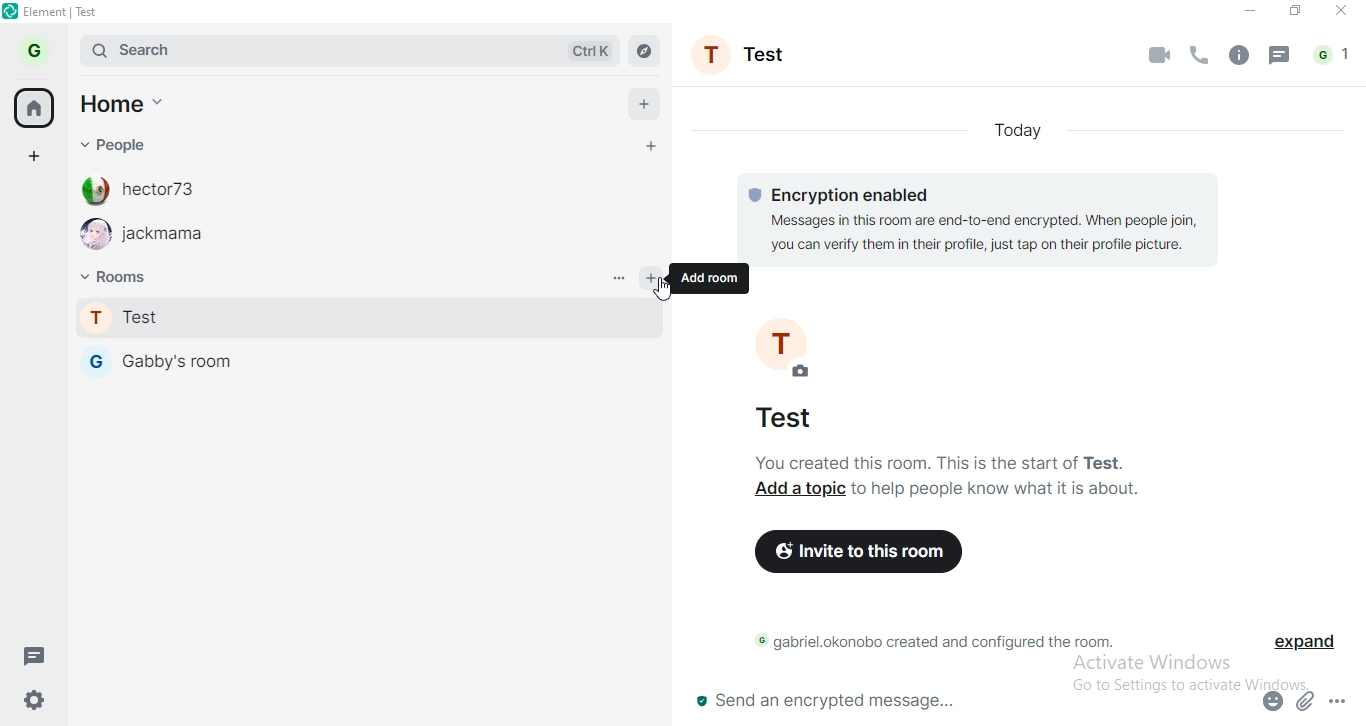 The height and width of the screenshot is (726, 1366). What do you see at coordinates (1333, 53) in the screenshot?
I see `notification` at bounding box center [1333, 53].